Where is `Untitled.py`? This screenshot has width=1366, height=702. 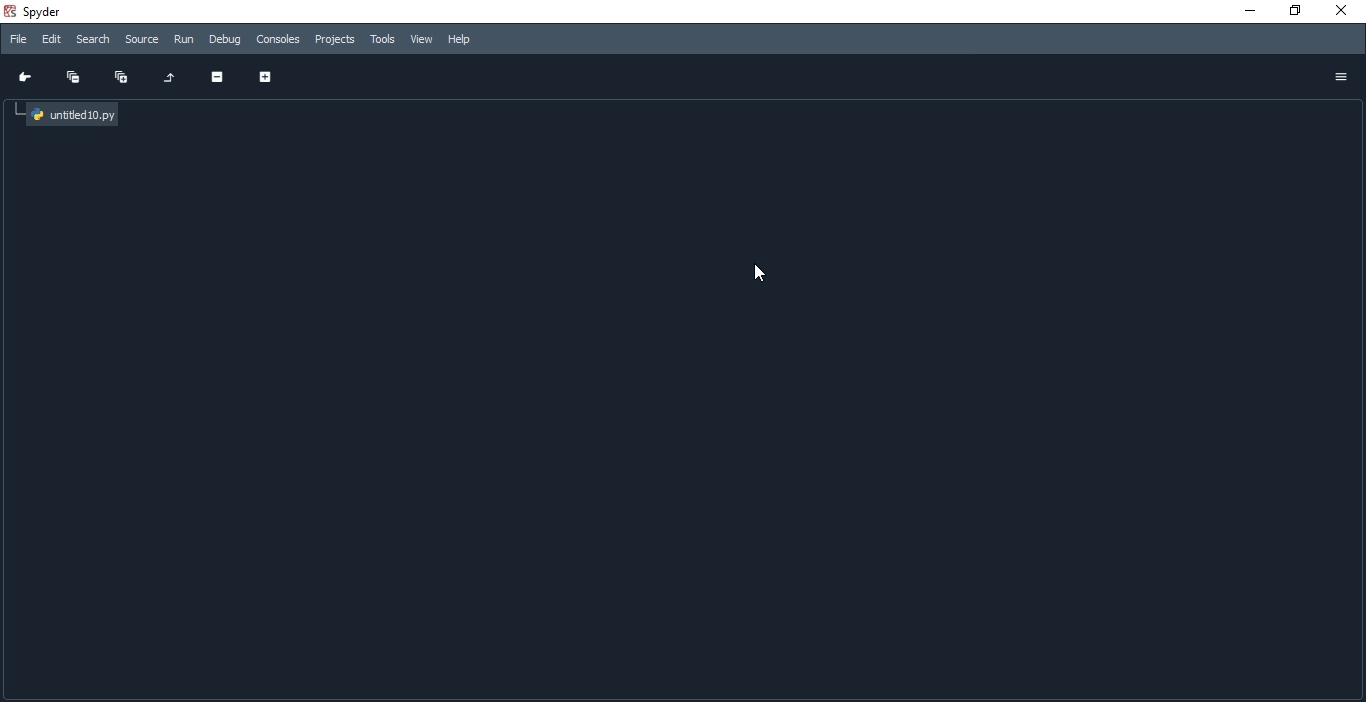 Untitled.py is located at coordinates (69, 113).